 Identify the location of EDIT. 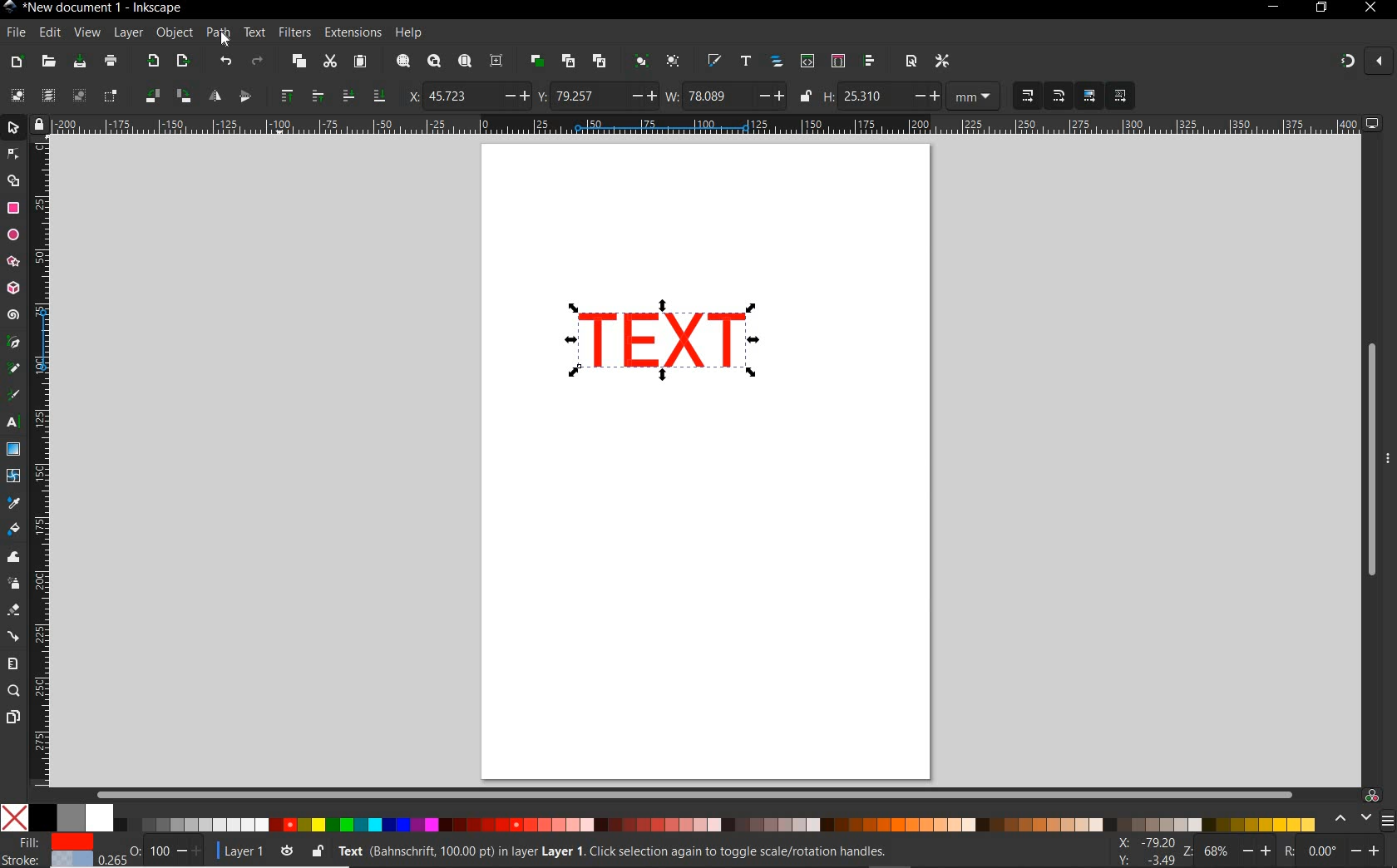
(47, 33).